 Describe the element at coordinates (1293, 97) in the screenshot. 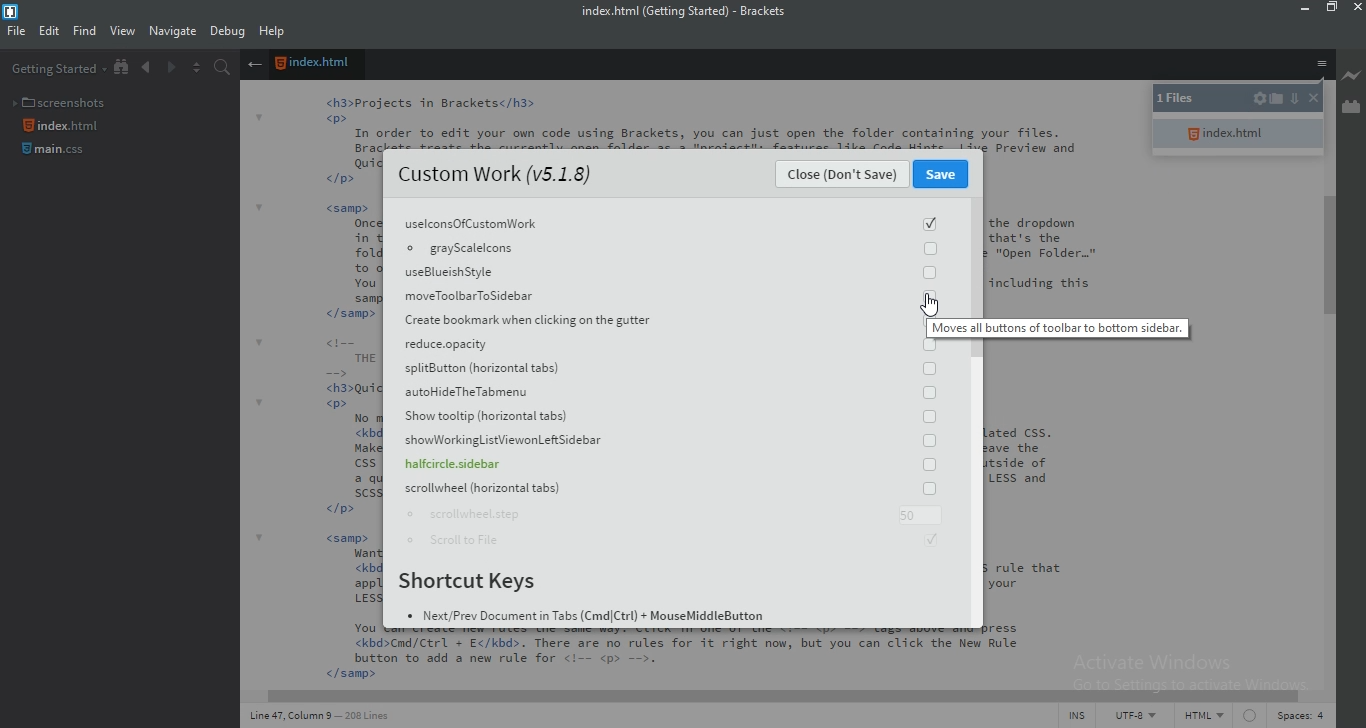

I see `down` at that location.